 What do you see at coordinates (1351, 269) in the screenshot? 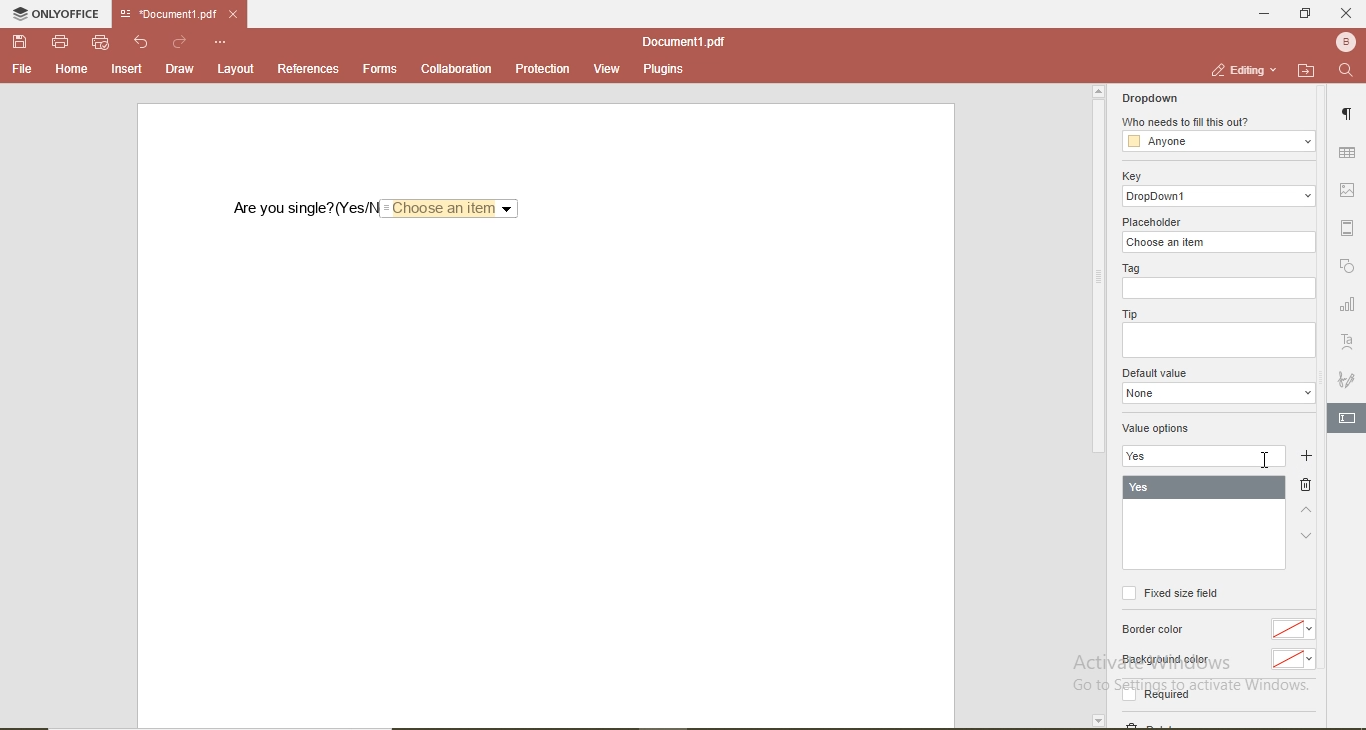
I see `shape` at bounding box center [1351, 269].